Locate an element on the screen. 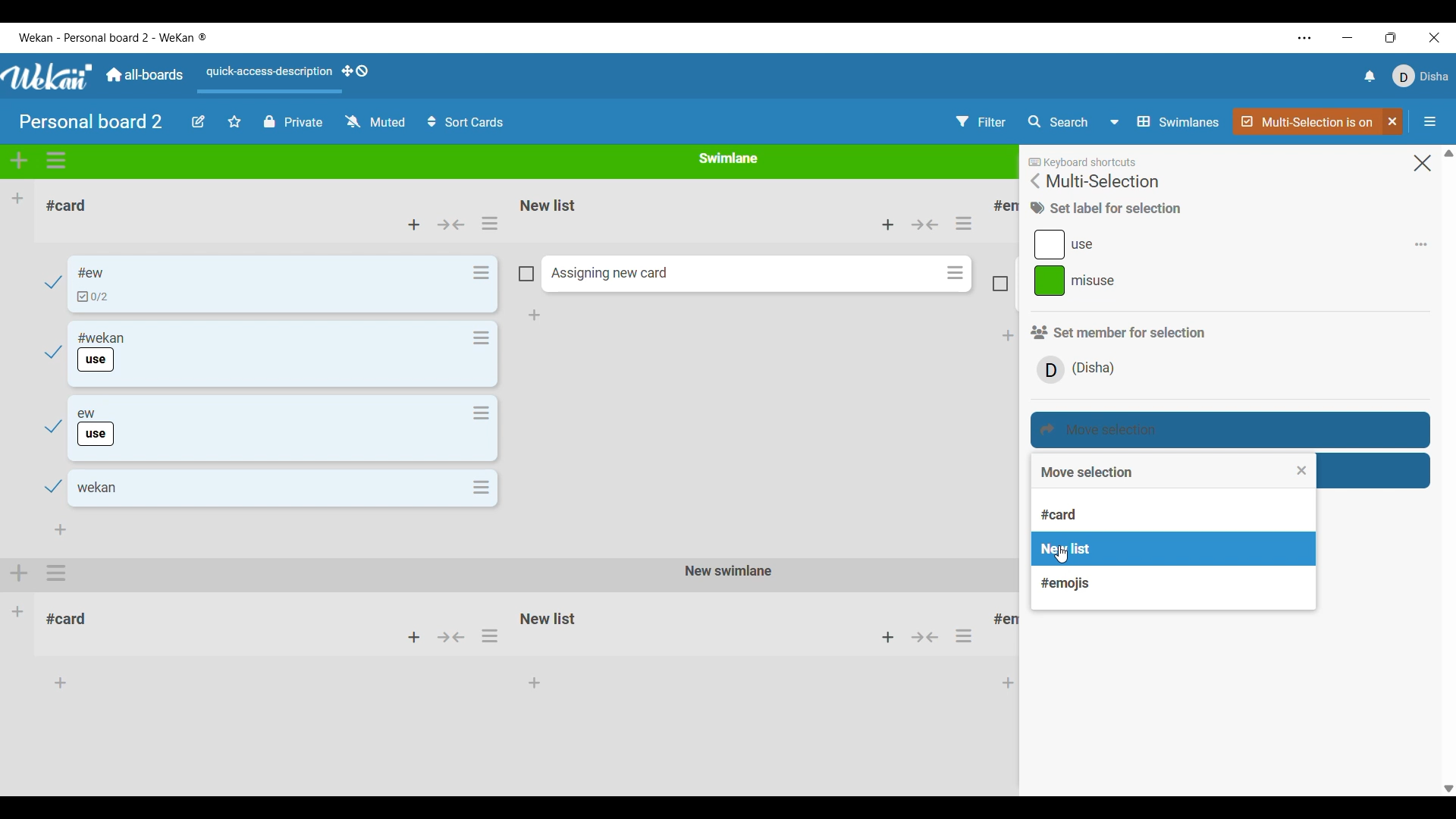 Image resolution: width=1456 pixels, height=819 pixels. Minimize is located at coordinates (1348, 37).